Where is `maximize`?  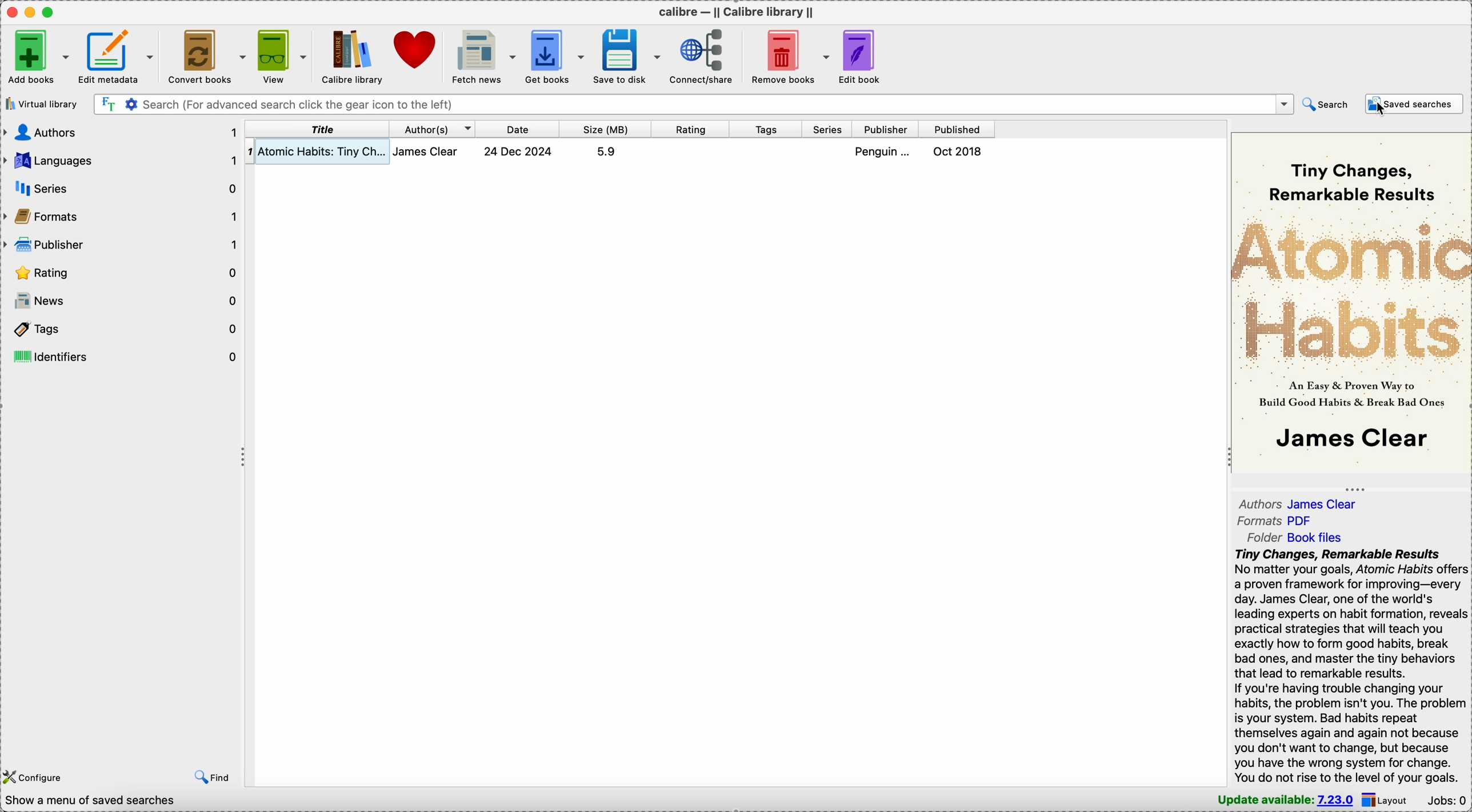 maximize is located at coordinates (51, 11).